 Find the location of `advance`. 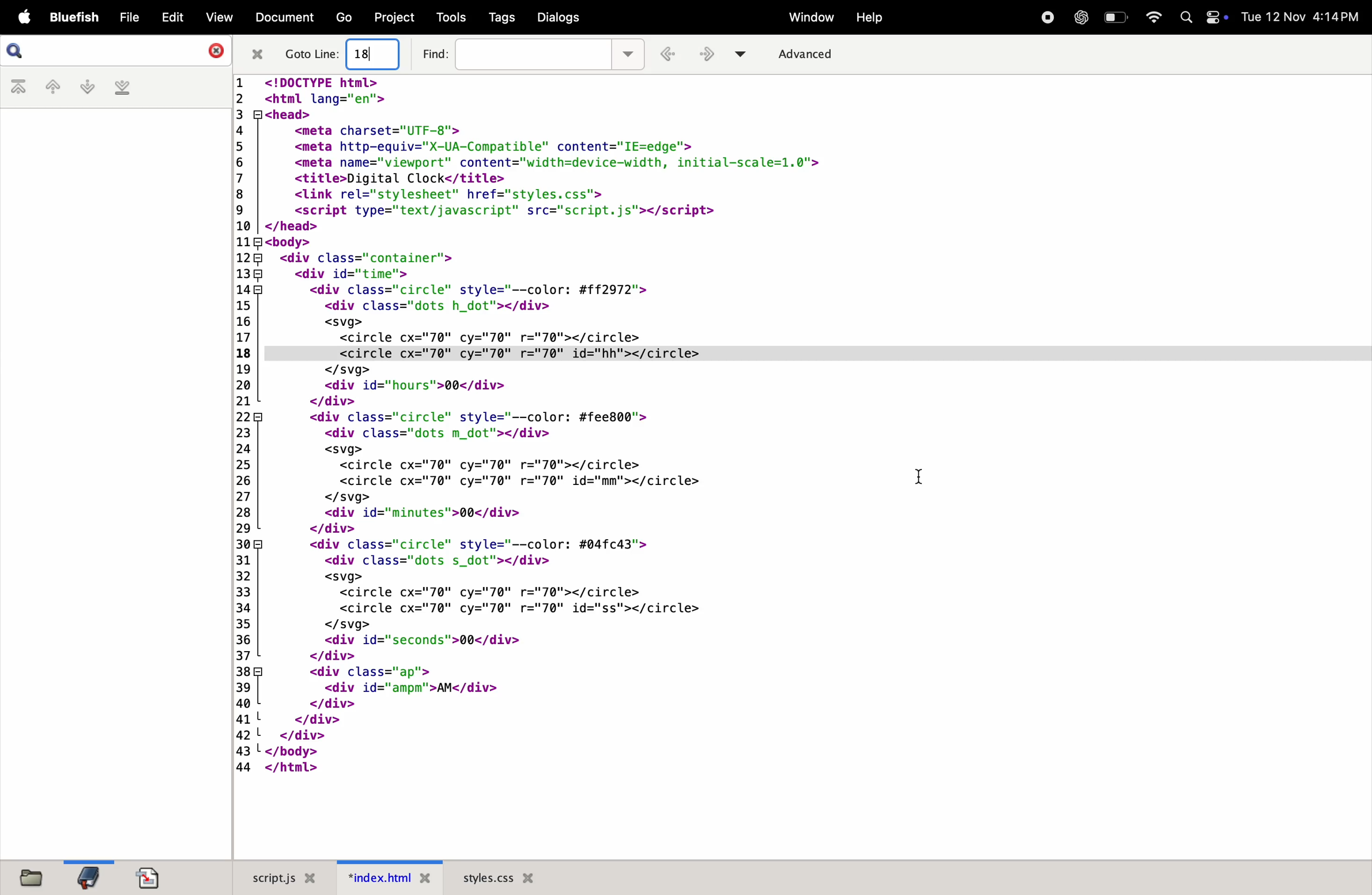

advance is located at coordinates (815, 54).